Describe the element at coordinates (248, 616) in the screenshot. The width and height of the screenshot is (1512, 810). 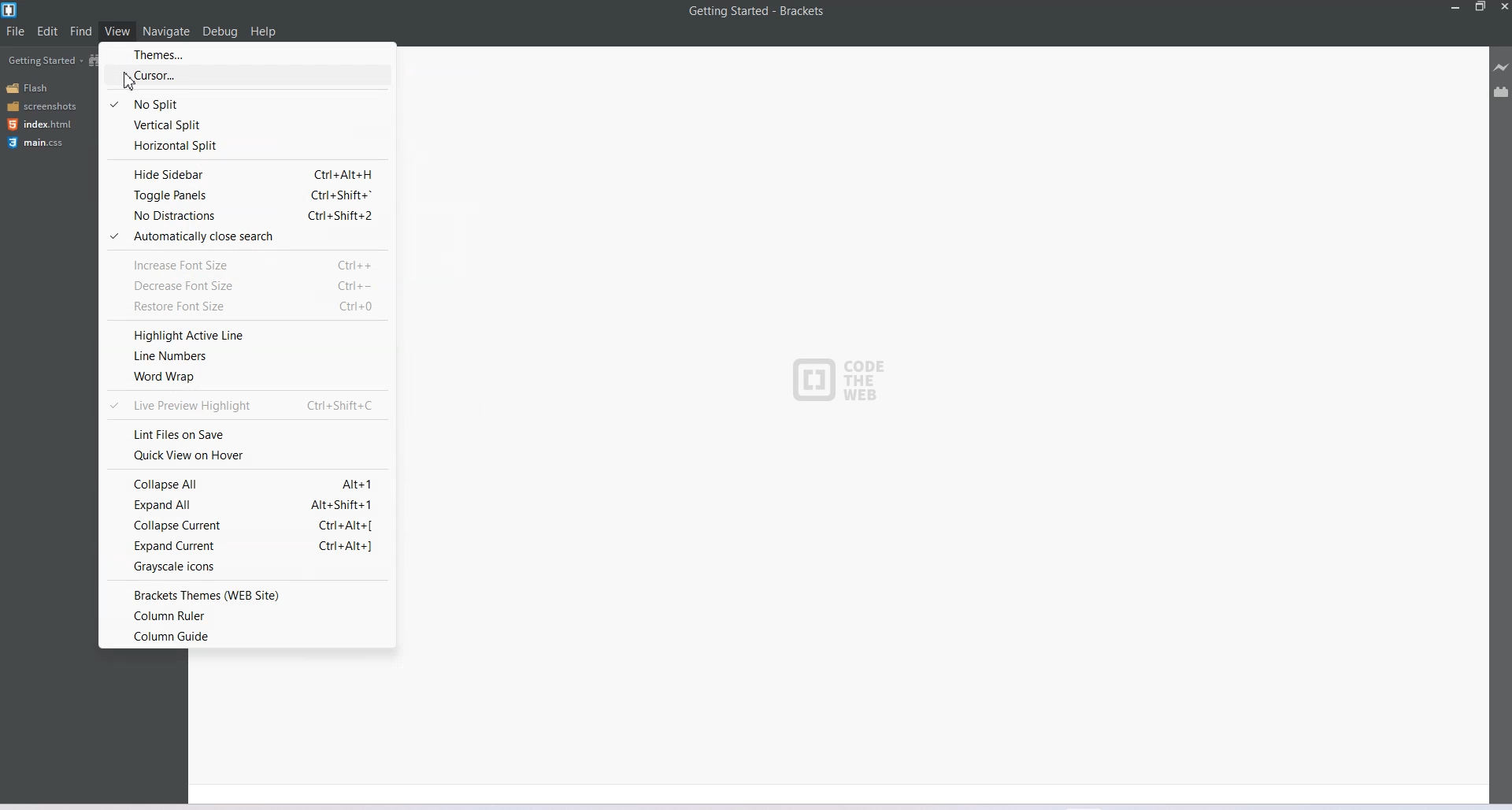
I see `column ruler` at that location.